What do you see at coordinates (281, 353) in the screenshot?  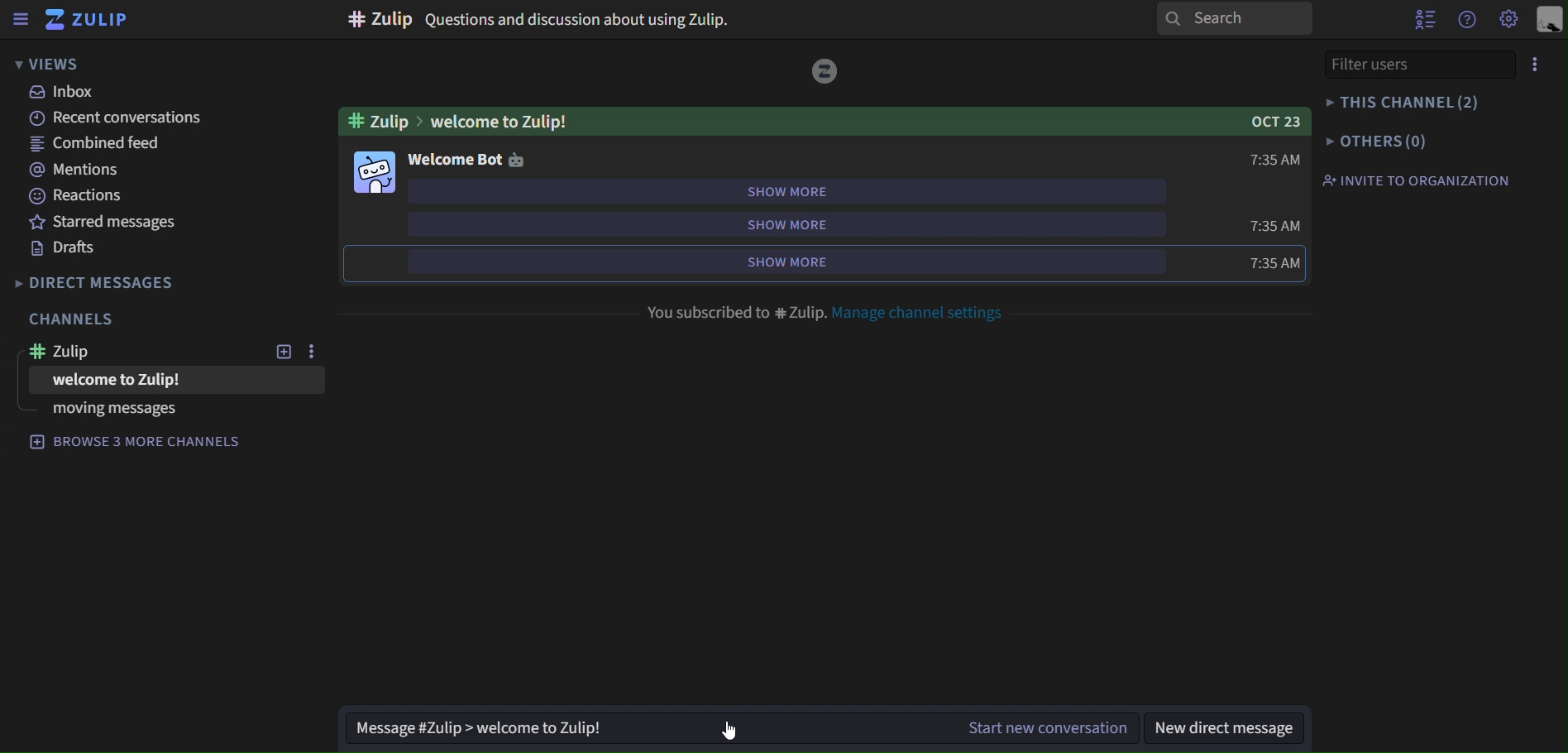 I see `new topic` at bounding box center [281, 353].